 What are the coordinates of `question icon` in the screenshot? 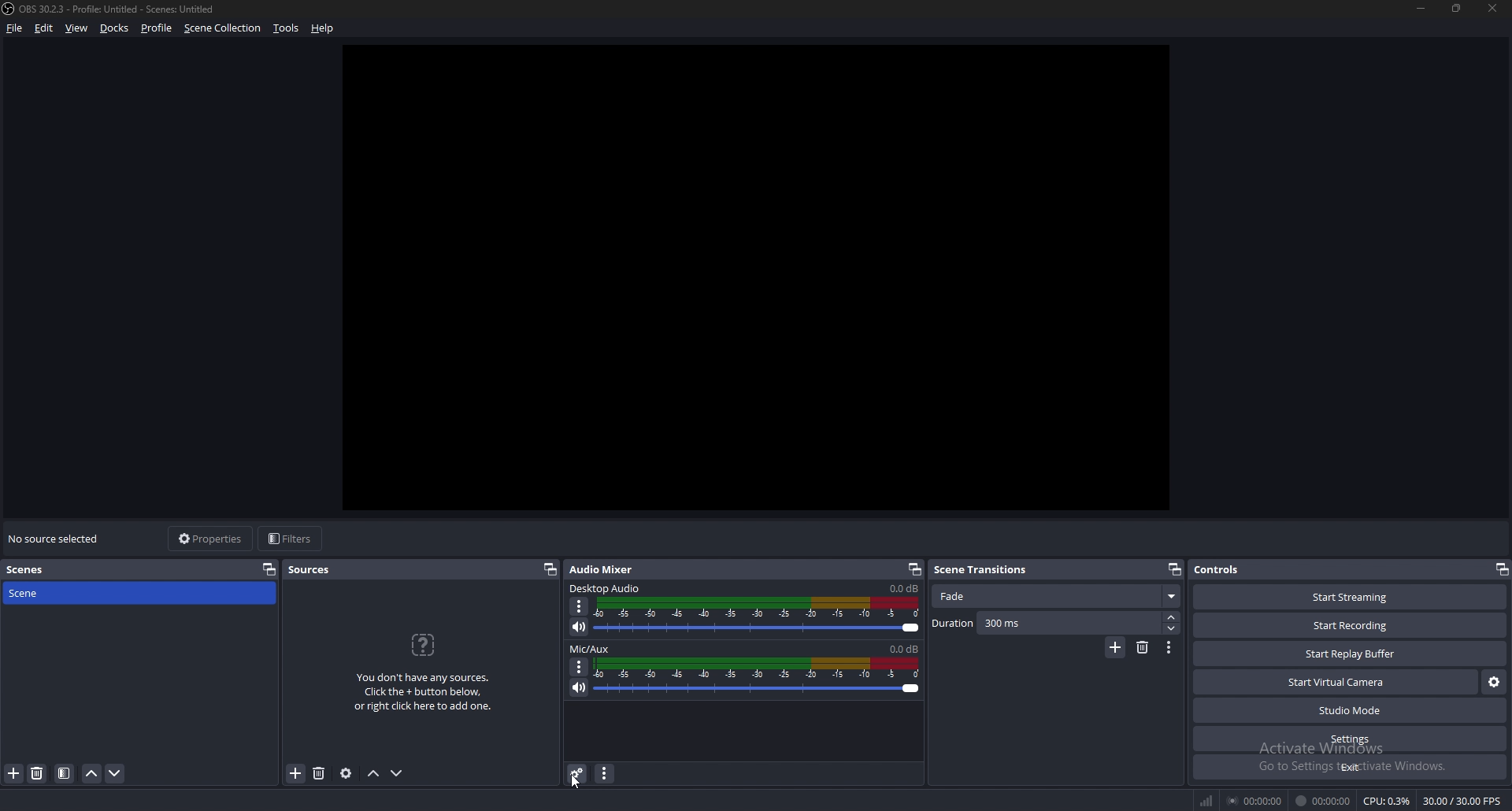 It's located at (423, 645).